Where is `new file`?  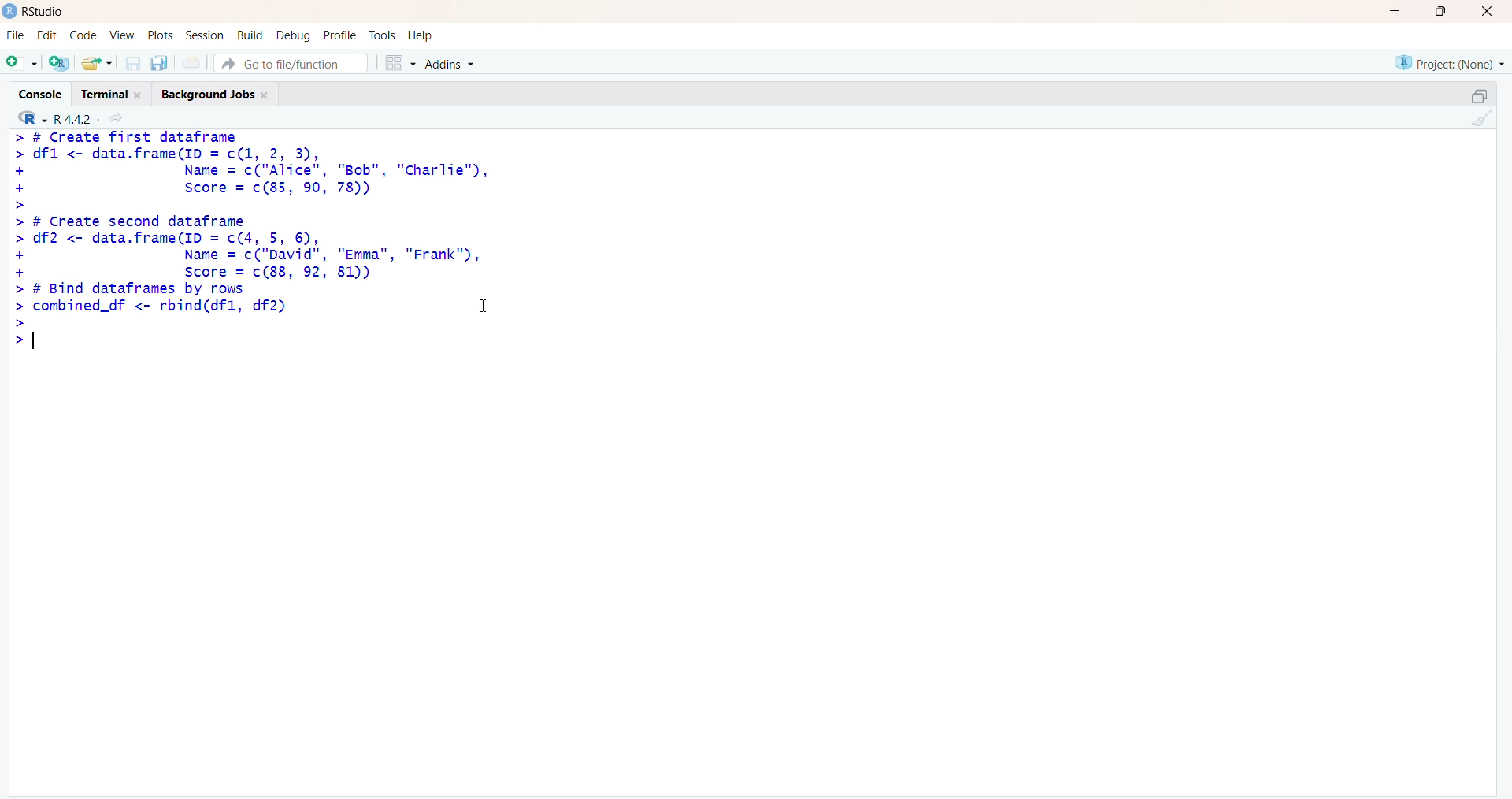
new file is located at coordinates (23, 64).